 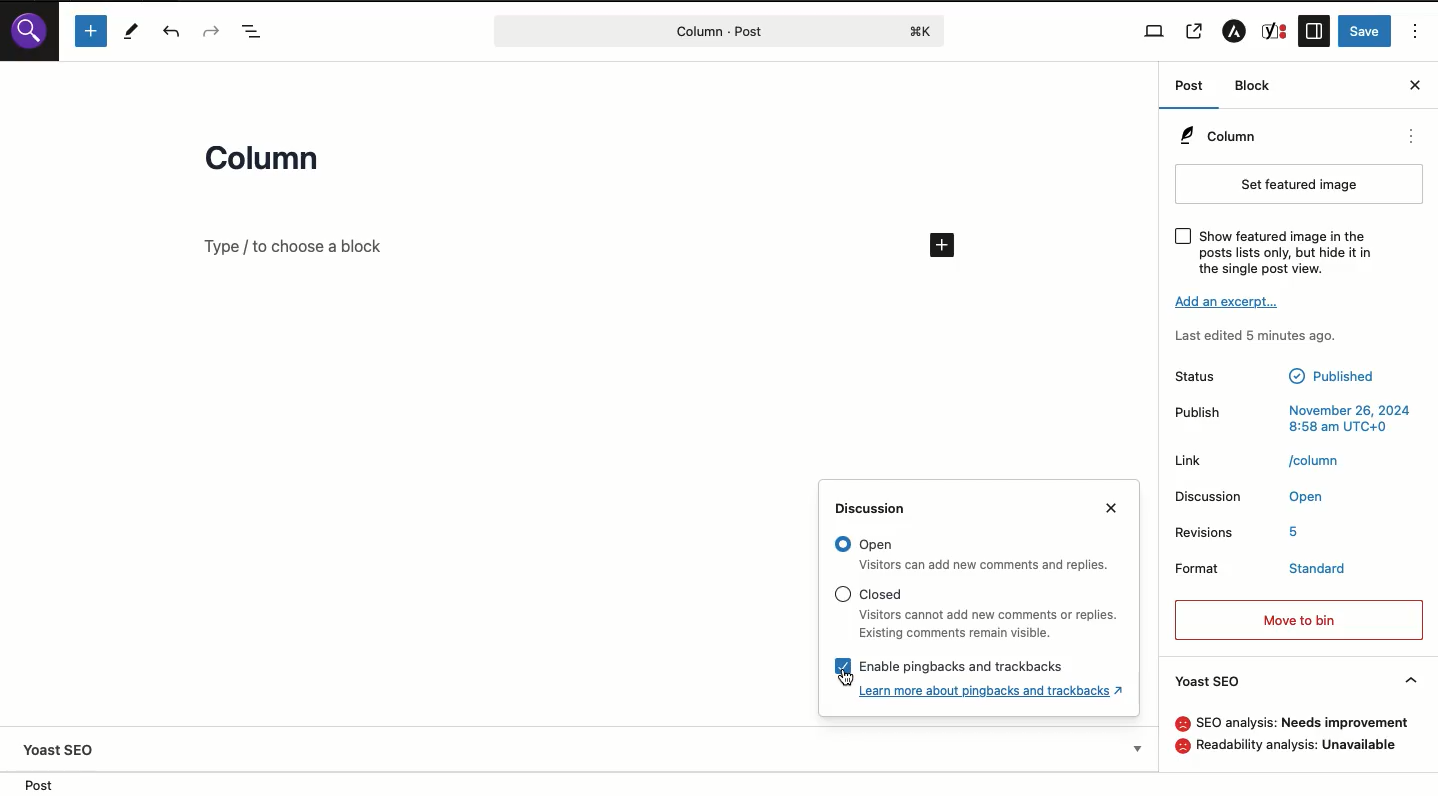 I want to click on Discussion, so click(x=877, y=509).